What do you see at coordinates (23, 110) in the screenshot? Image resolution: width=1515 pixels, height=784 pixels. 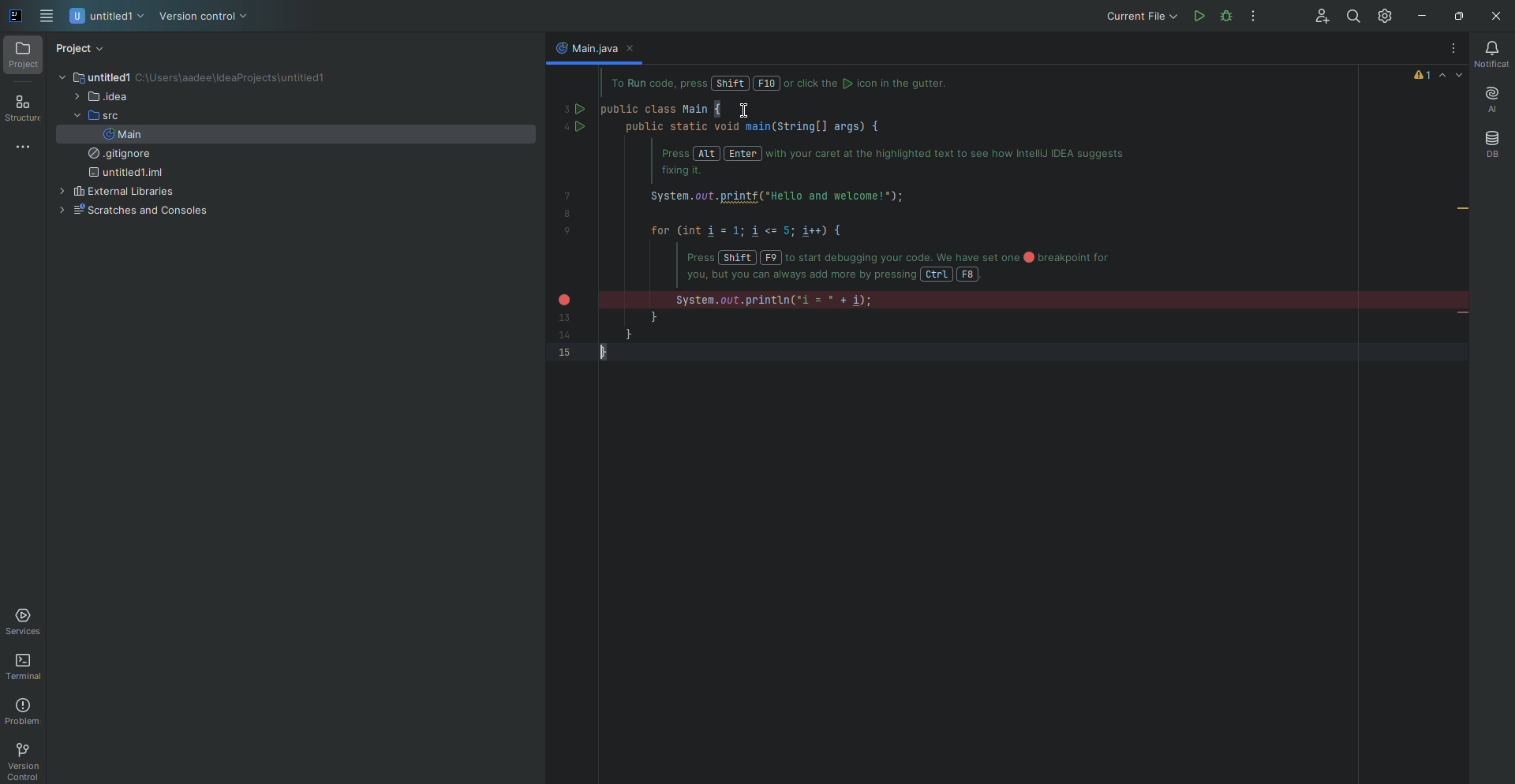 I see `Structure` at bounding box center [23, 110].